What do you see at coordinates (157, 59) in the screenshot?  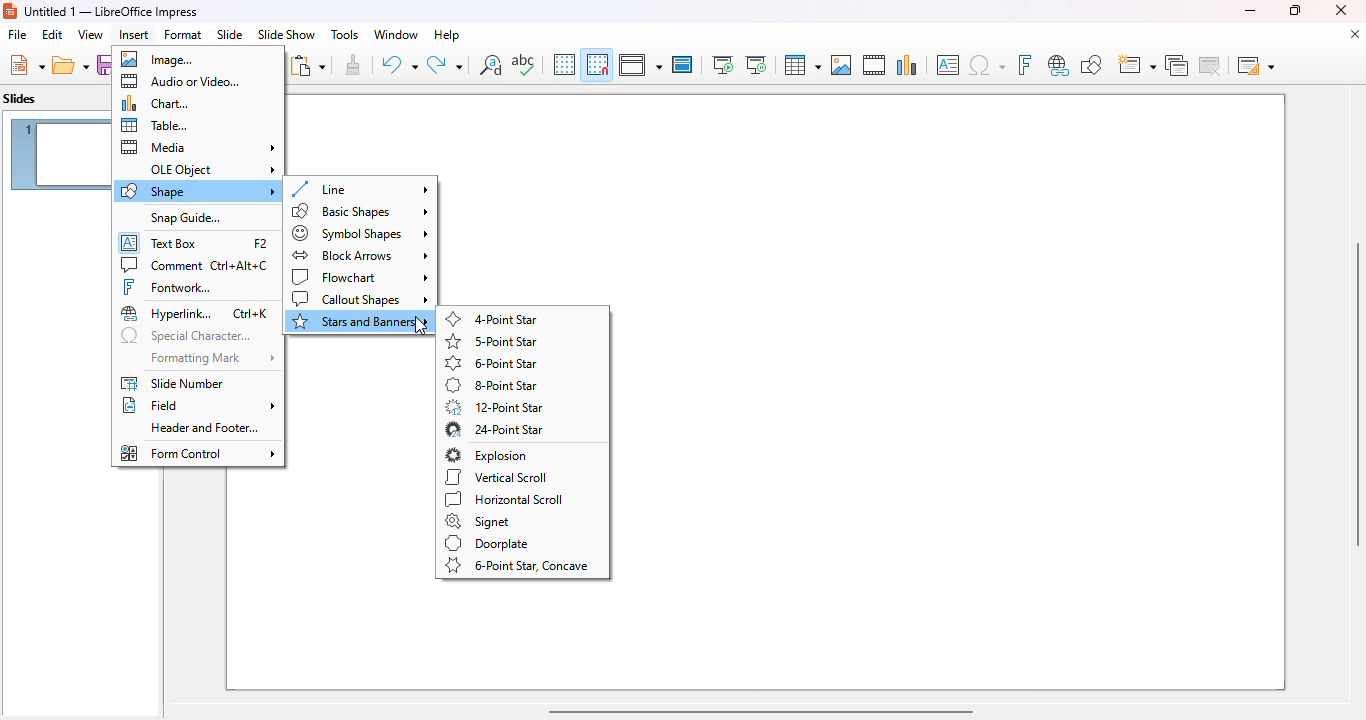 I see `image` at bounding box center [157, 59].